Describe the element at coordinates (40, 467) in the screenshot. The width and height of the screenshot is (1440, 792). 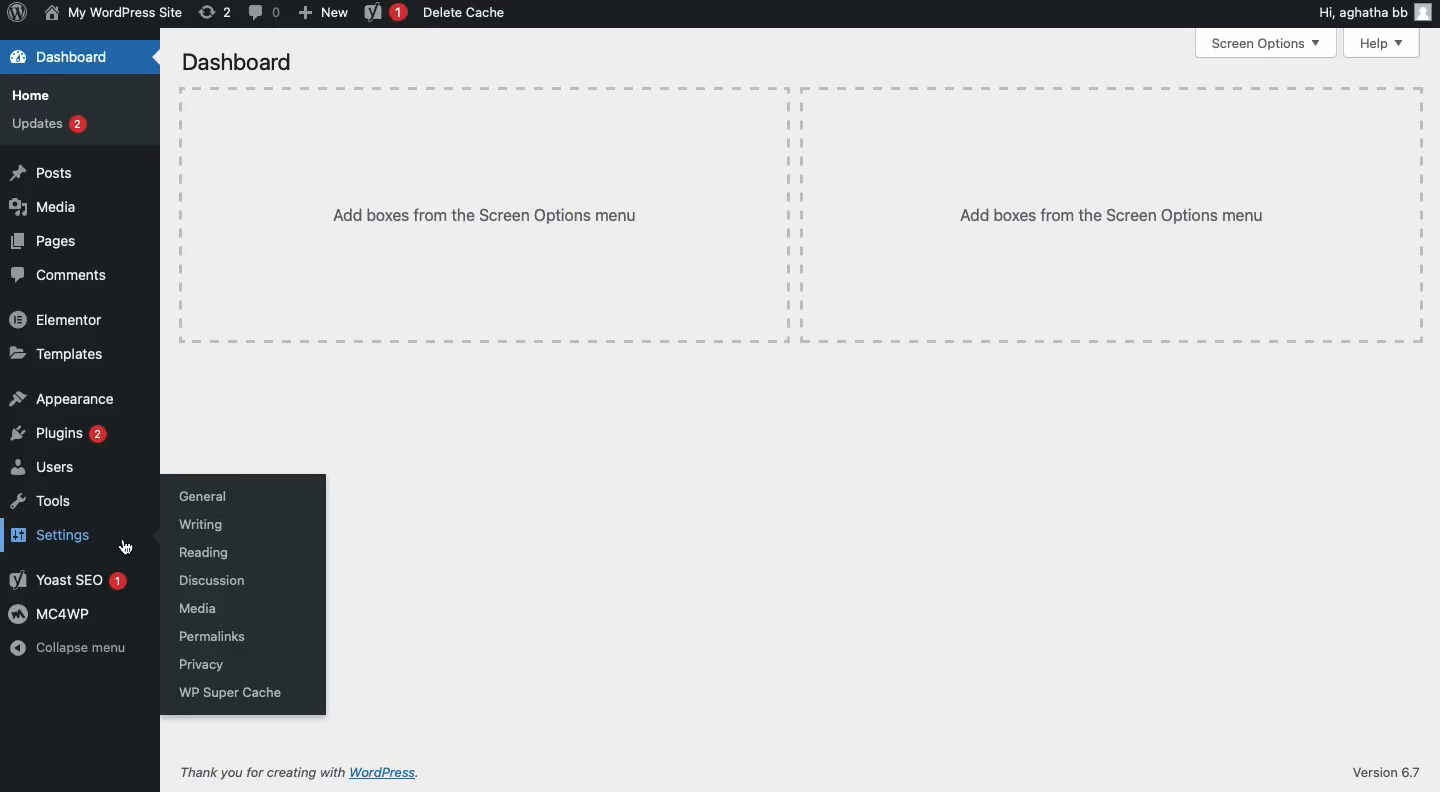
I see `Users` at that location.